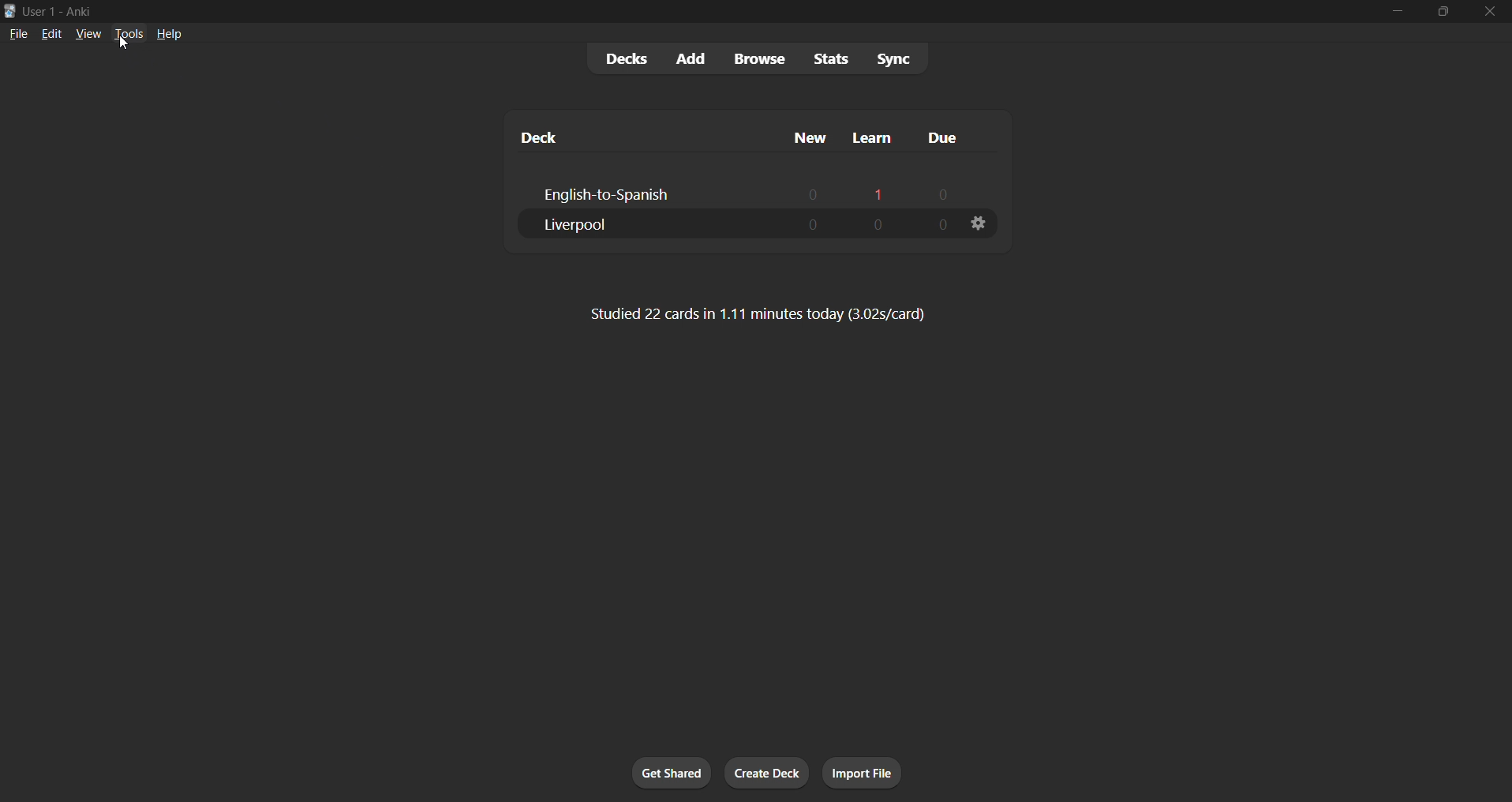 The height and width of the screenshot is (802, 1512). I want to click on learn column, so click(868, 139).